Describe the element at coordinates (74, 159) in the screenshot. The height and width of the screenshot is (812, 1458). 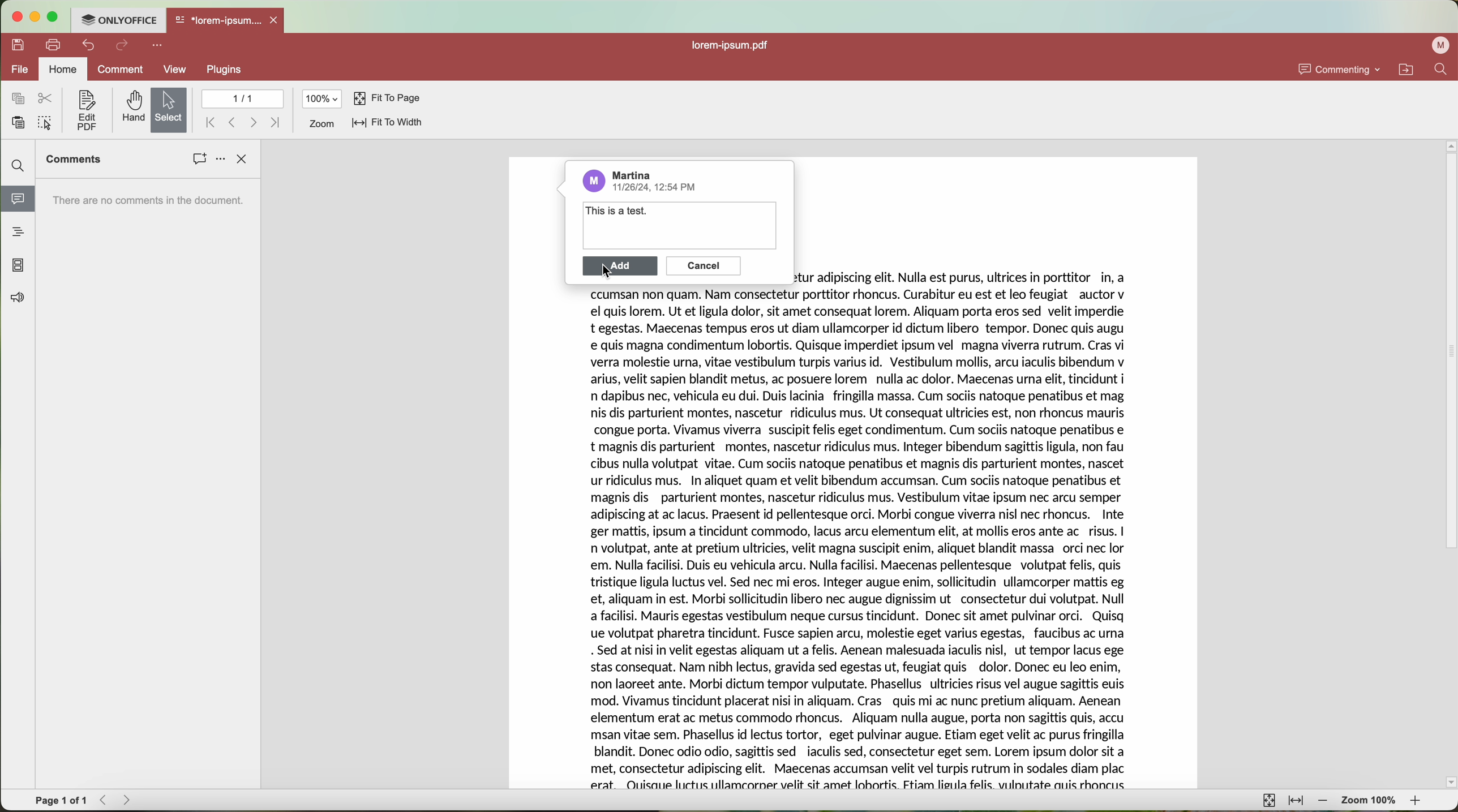
I see `comments` at that location.